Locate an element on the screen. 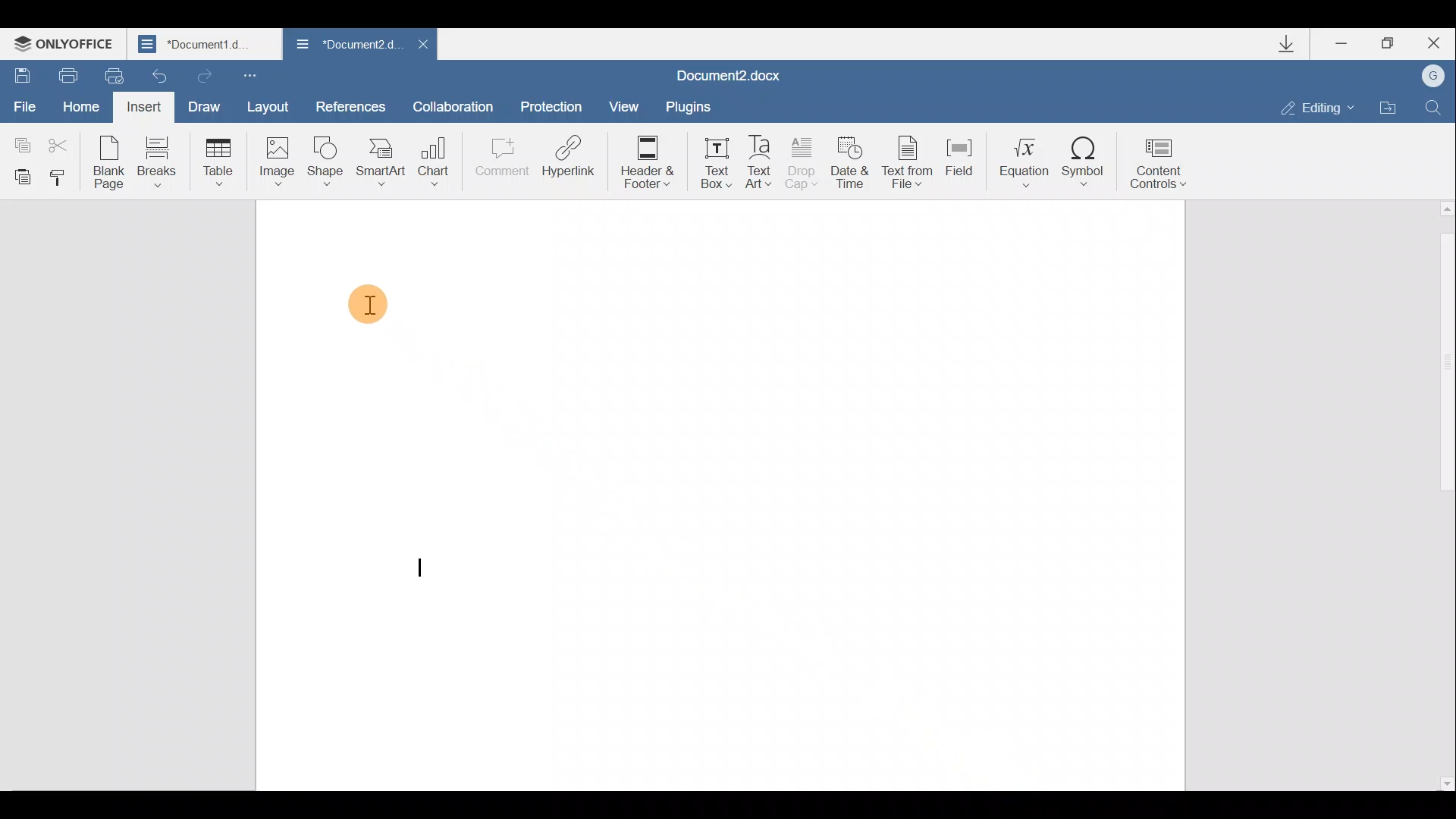 Image resolution: width=1456 pixels, height=819 pixels. Chart is located at coordinates (437, 155).